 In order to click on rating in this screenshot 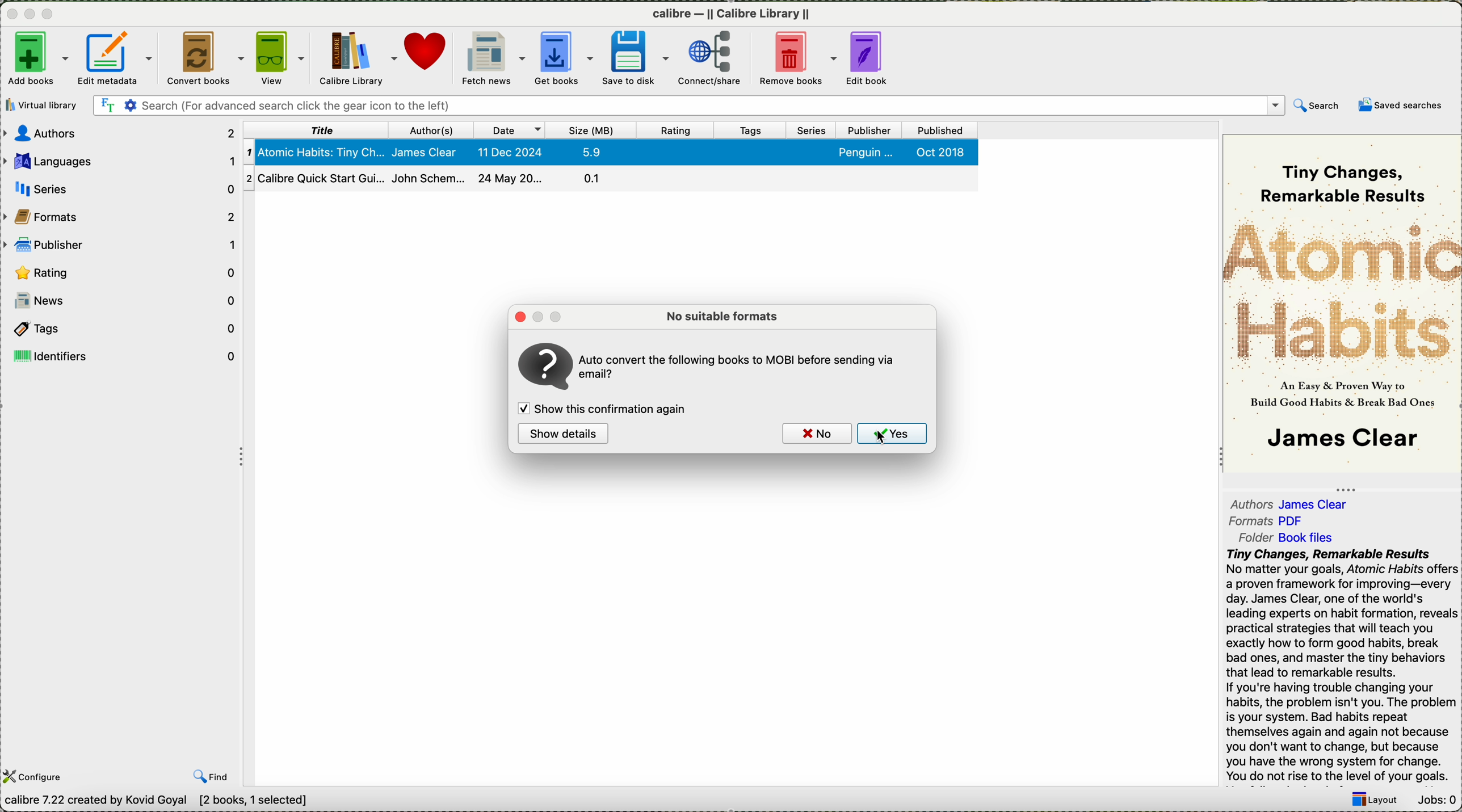, I will do `click(676, 129)`.